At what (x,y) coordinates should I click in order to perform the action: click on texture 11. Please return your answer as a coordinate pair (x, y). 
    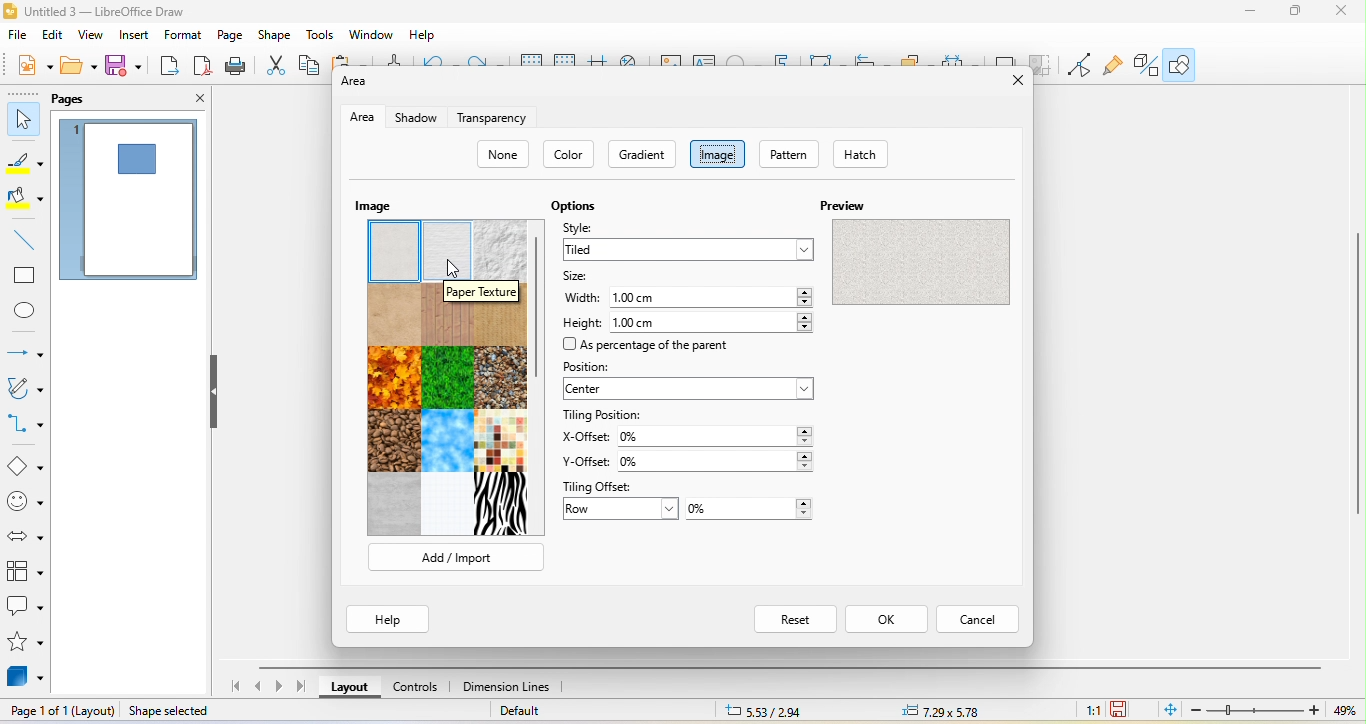
    Looking at the image, I should click on (446, 441).